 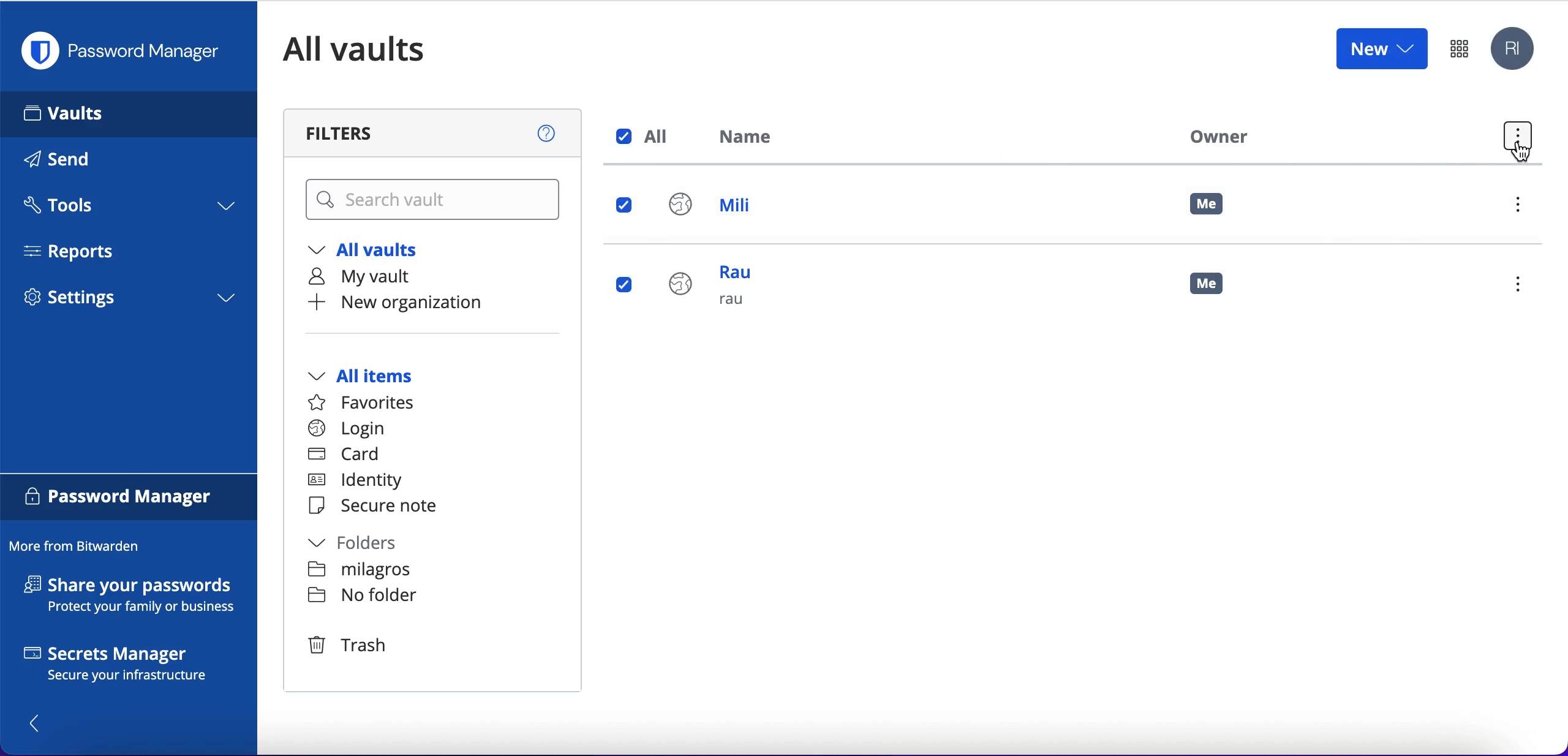 What do you see at coordinates (435, 133) in the screenshot?
I see `filters` at bounding box center [435, 133].